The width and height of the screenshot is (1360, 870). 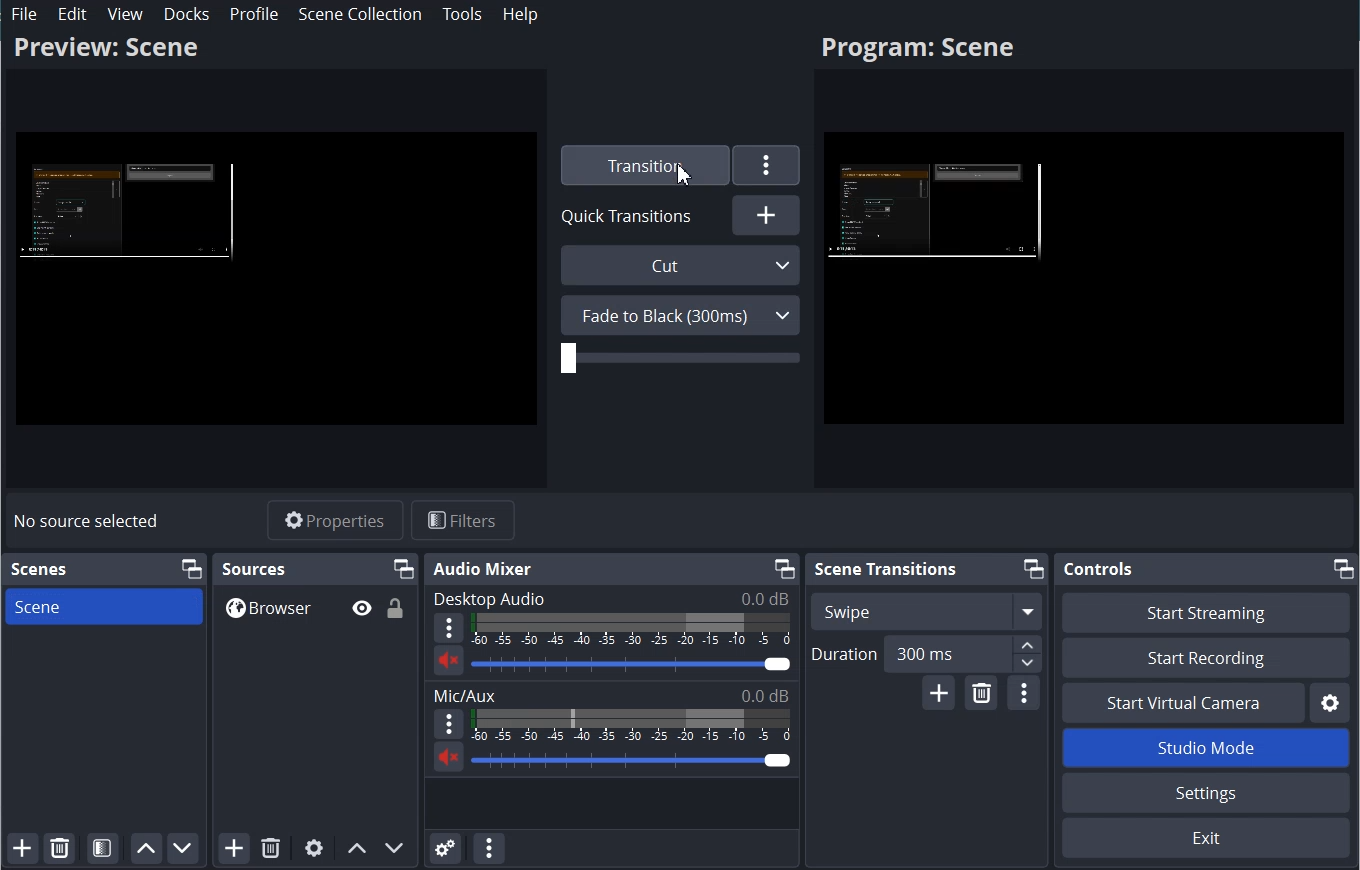 What do you see at coordinates (25, 14) in the screenshot?
I see `File` at bounding box center [25, 14].